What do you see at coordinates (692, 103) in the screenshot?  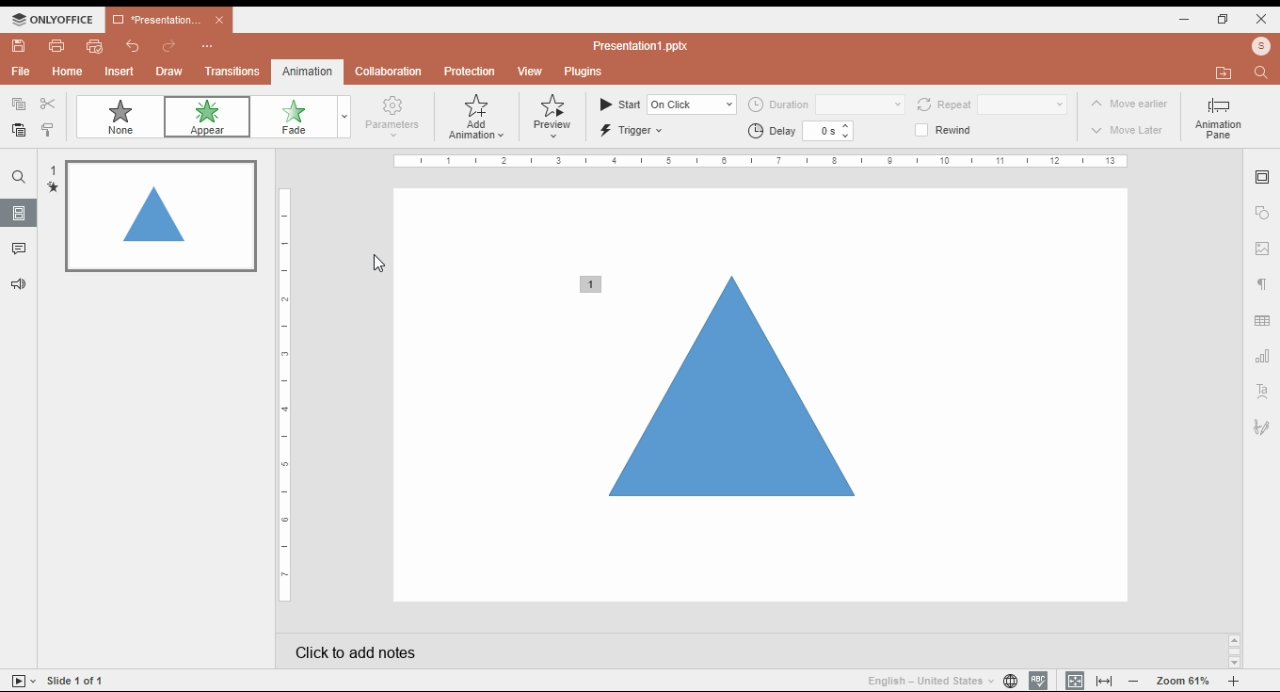 I see `input start time` at bounding box center [692, 103].